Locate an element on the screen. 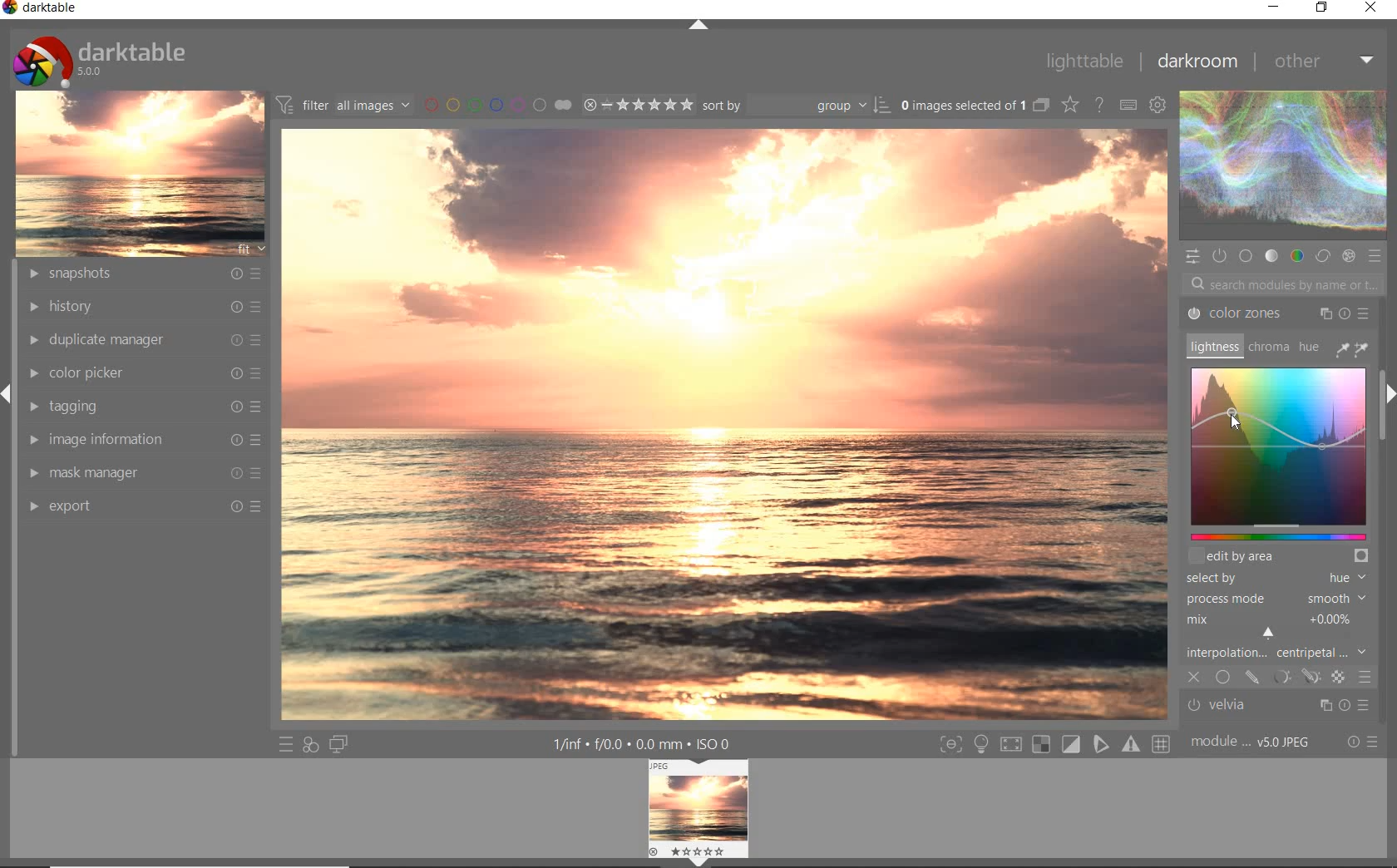 The width and height of the screenshot is (1397, 868). PROCESS MODE is located at coordinates (1278, 599).